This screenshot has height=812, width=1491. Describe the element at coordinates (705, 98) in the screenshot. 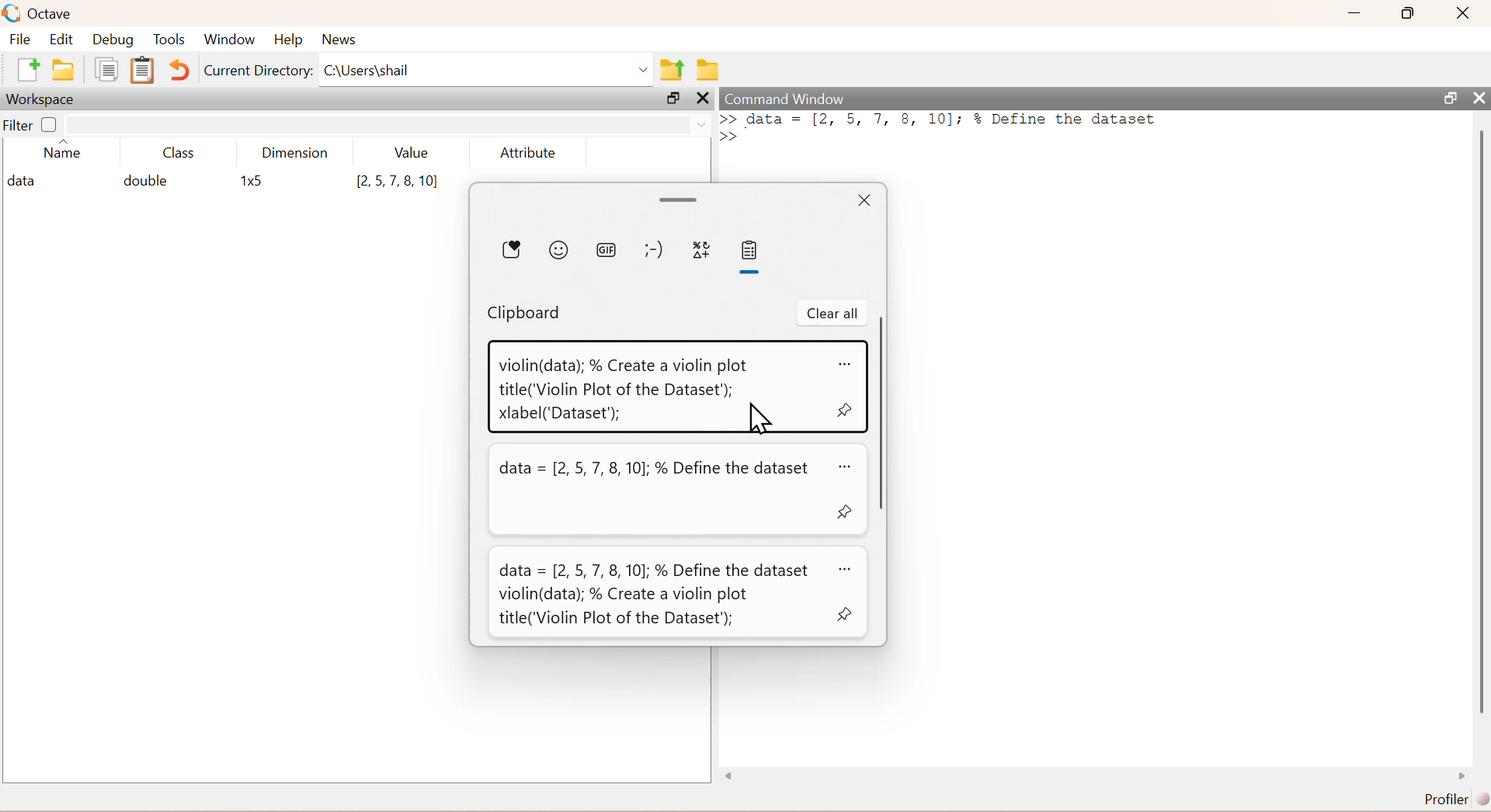

I see `close` at that location.